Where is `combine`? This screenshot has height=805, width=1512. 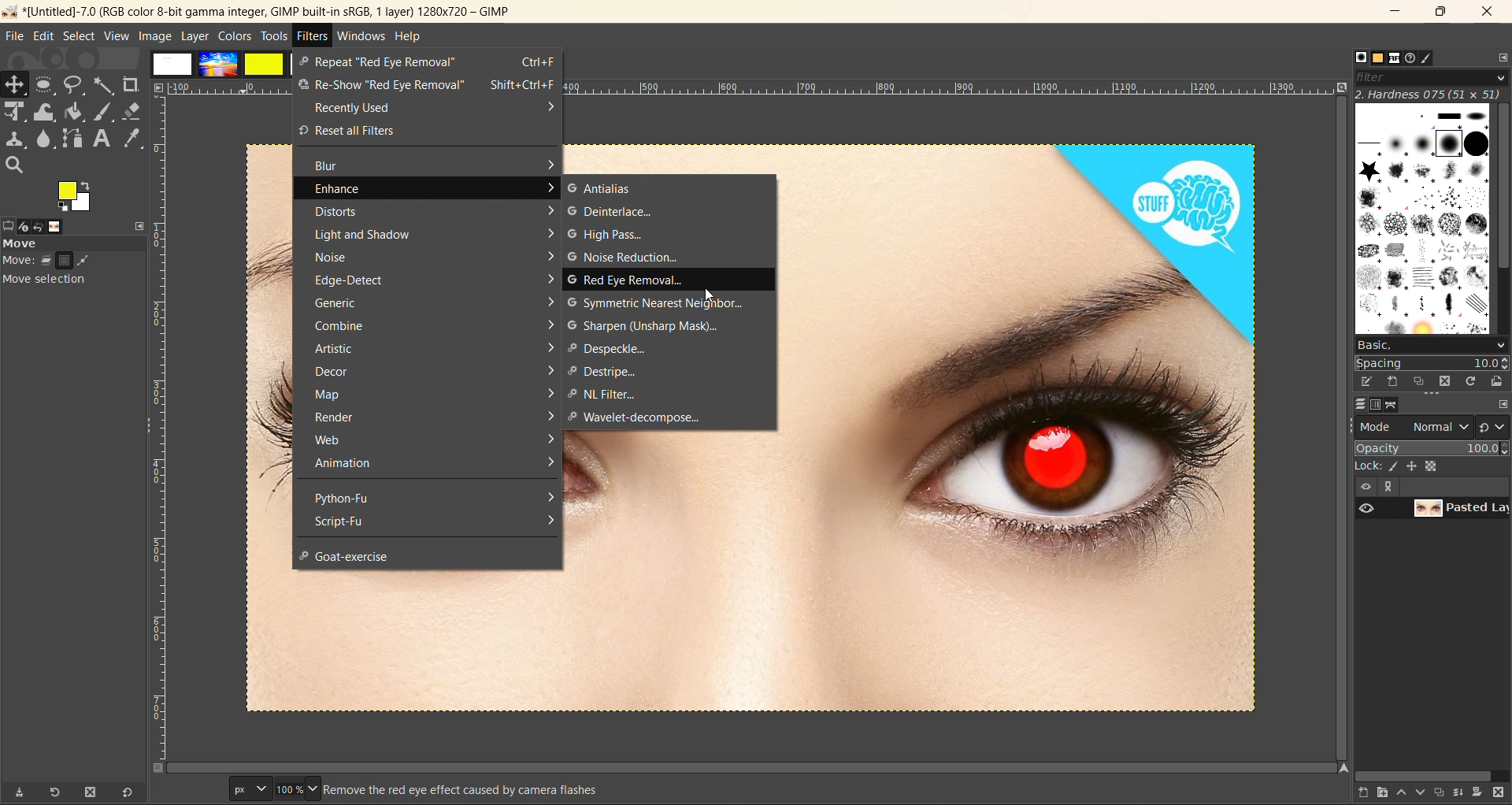 combine is located at coordinates (432, 326).